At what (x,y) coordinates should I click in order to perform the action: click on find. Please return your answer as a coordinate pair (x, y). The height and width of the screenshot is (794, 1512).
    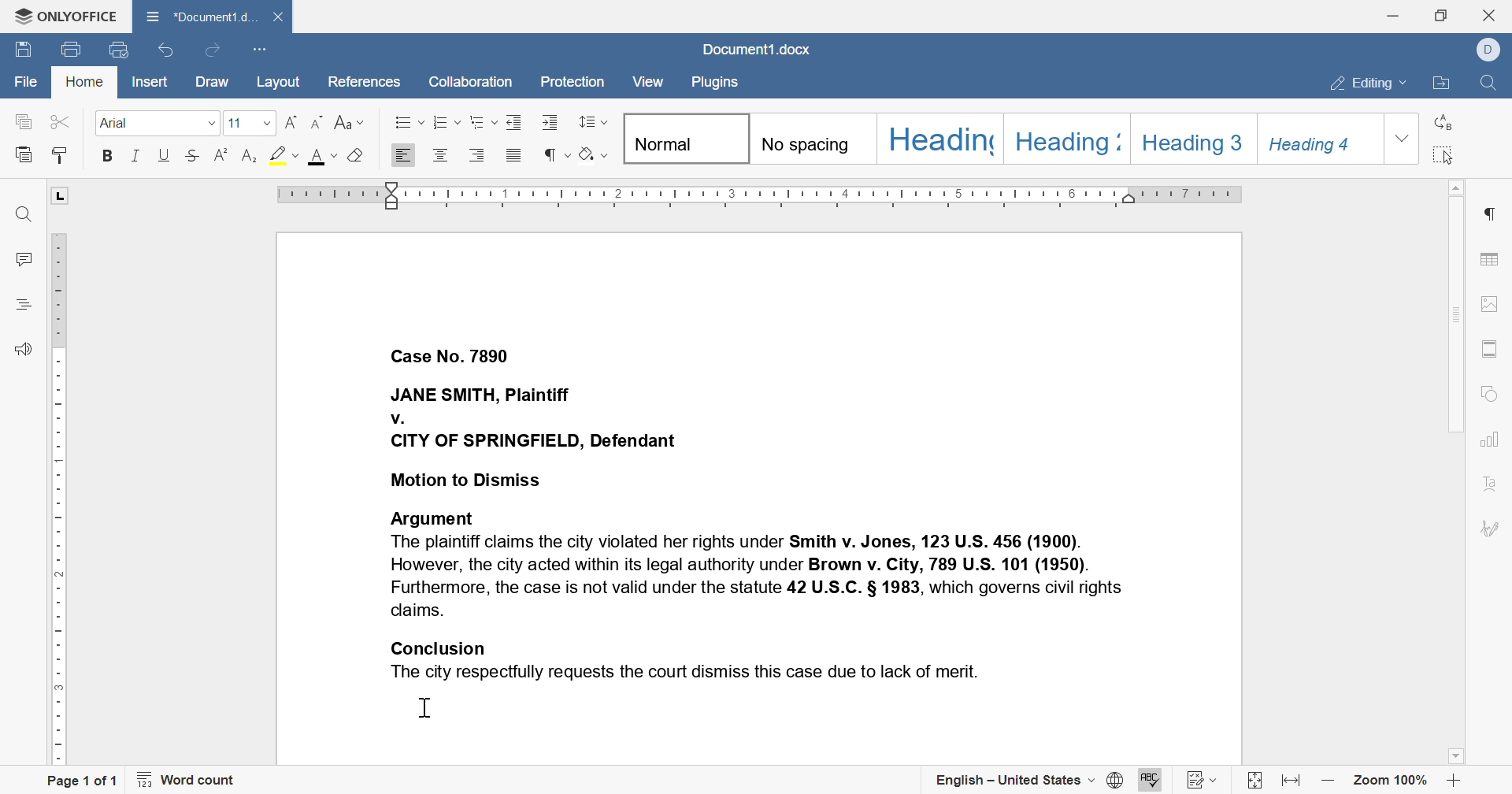
    Looking at the image, I should click on (1495, 84).